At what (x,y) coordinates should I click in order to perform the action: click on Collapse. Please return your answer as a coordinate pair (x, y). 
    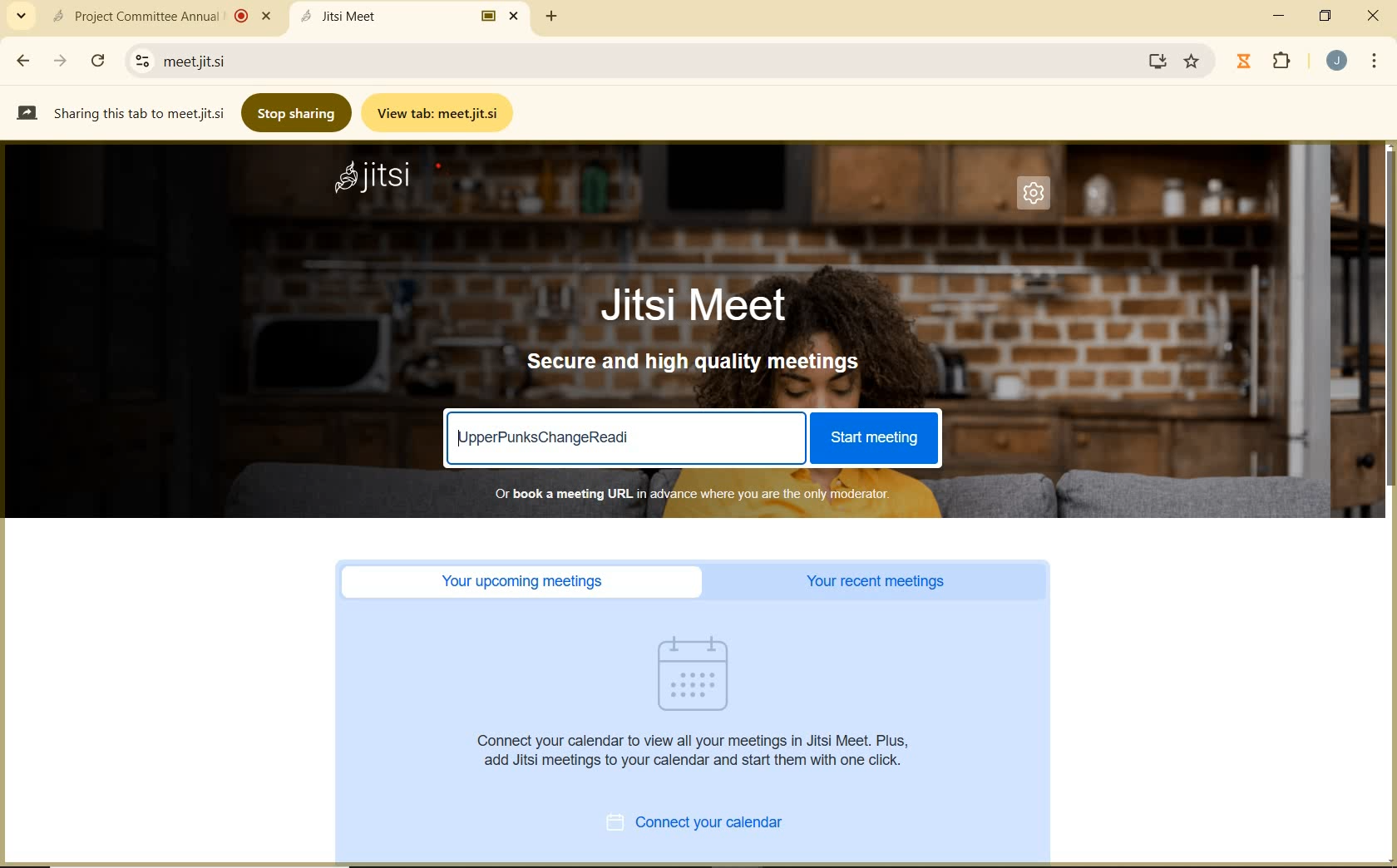
    Looking at the image, I should click on (21, 17).